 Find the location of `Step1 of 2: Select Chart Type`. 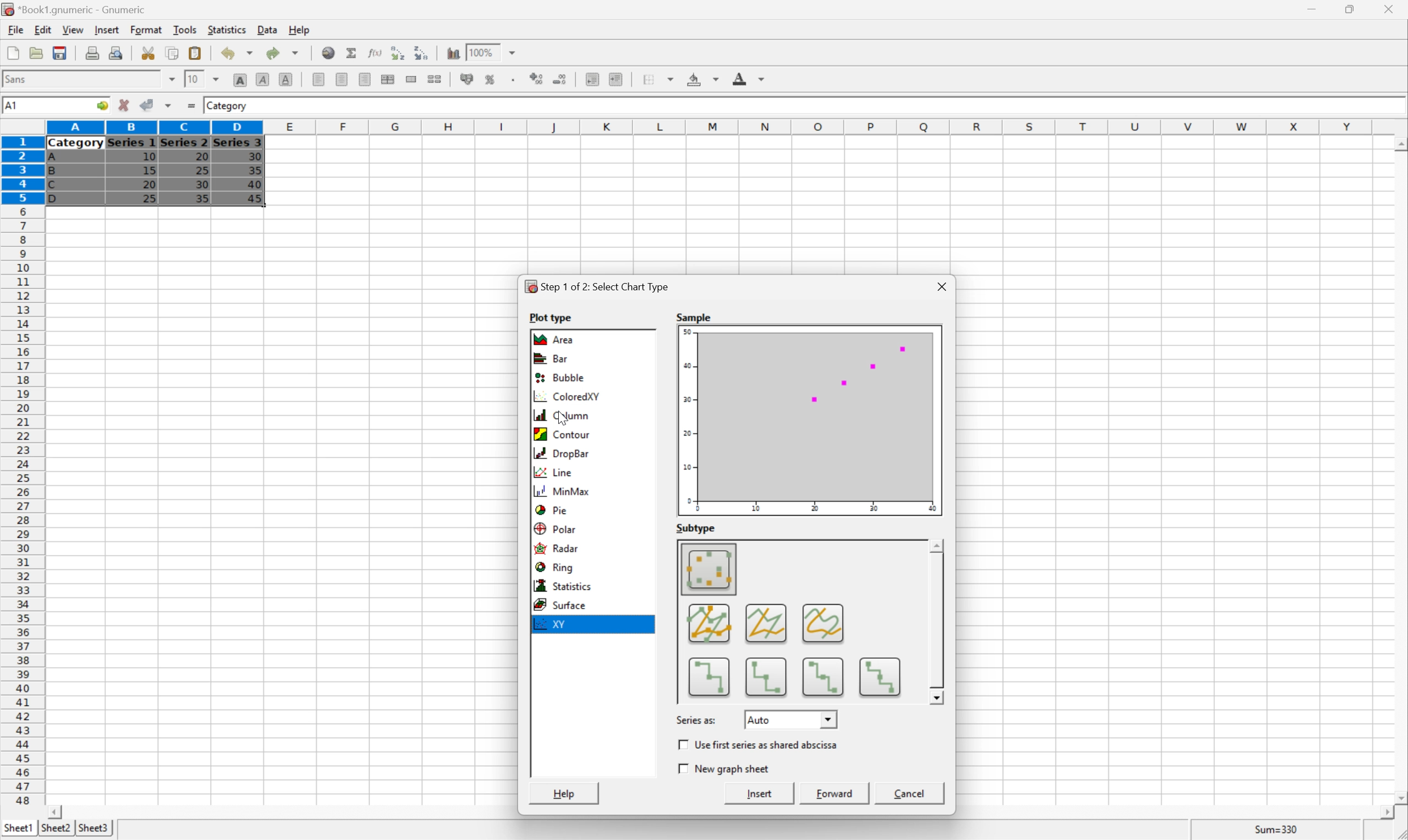

Step1 of 2: Select Chart Type is located at coordinates (596, 286).